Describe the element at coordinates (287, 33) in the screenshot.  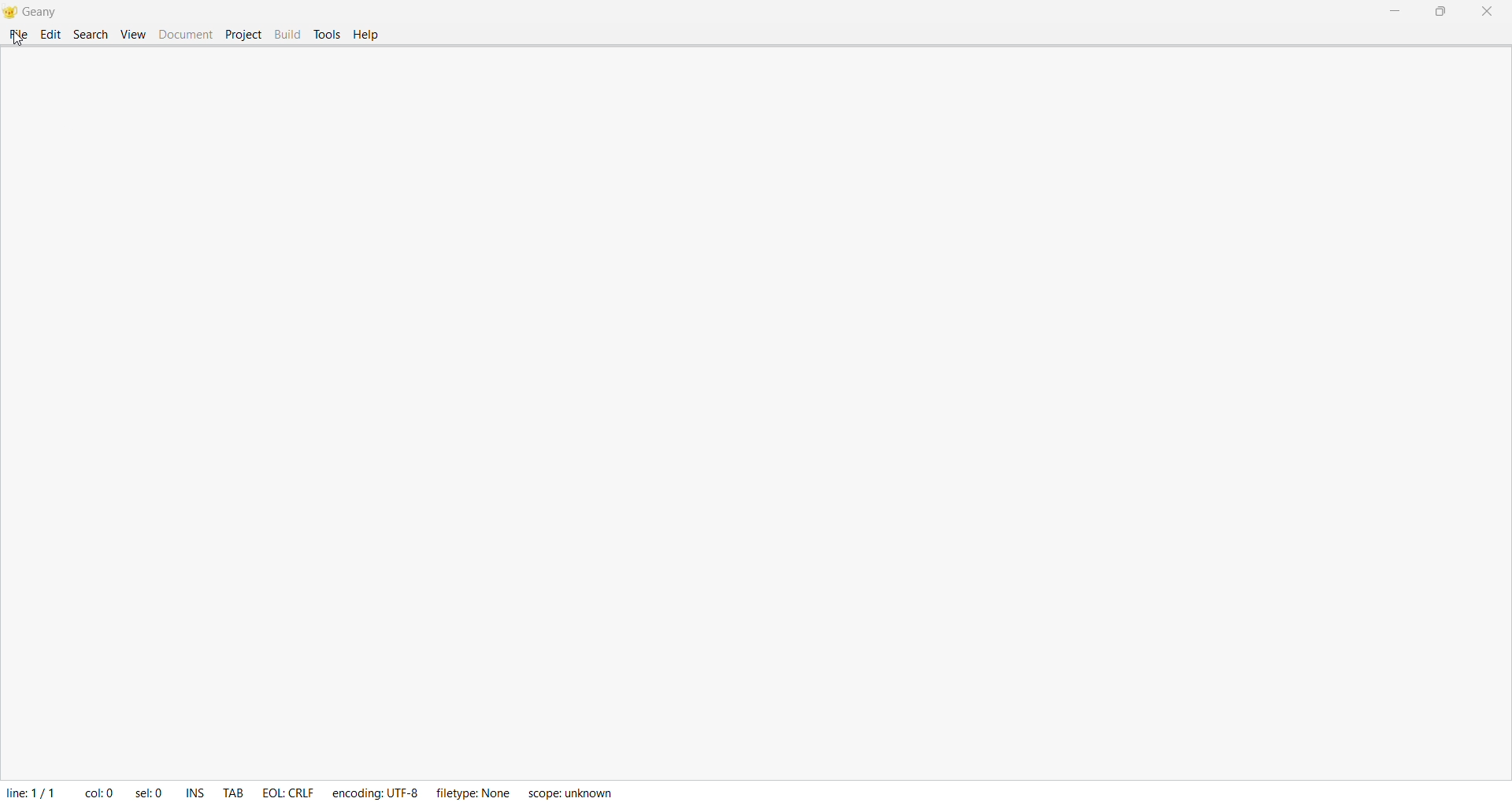
I see `Build` at that location.